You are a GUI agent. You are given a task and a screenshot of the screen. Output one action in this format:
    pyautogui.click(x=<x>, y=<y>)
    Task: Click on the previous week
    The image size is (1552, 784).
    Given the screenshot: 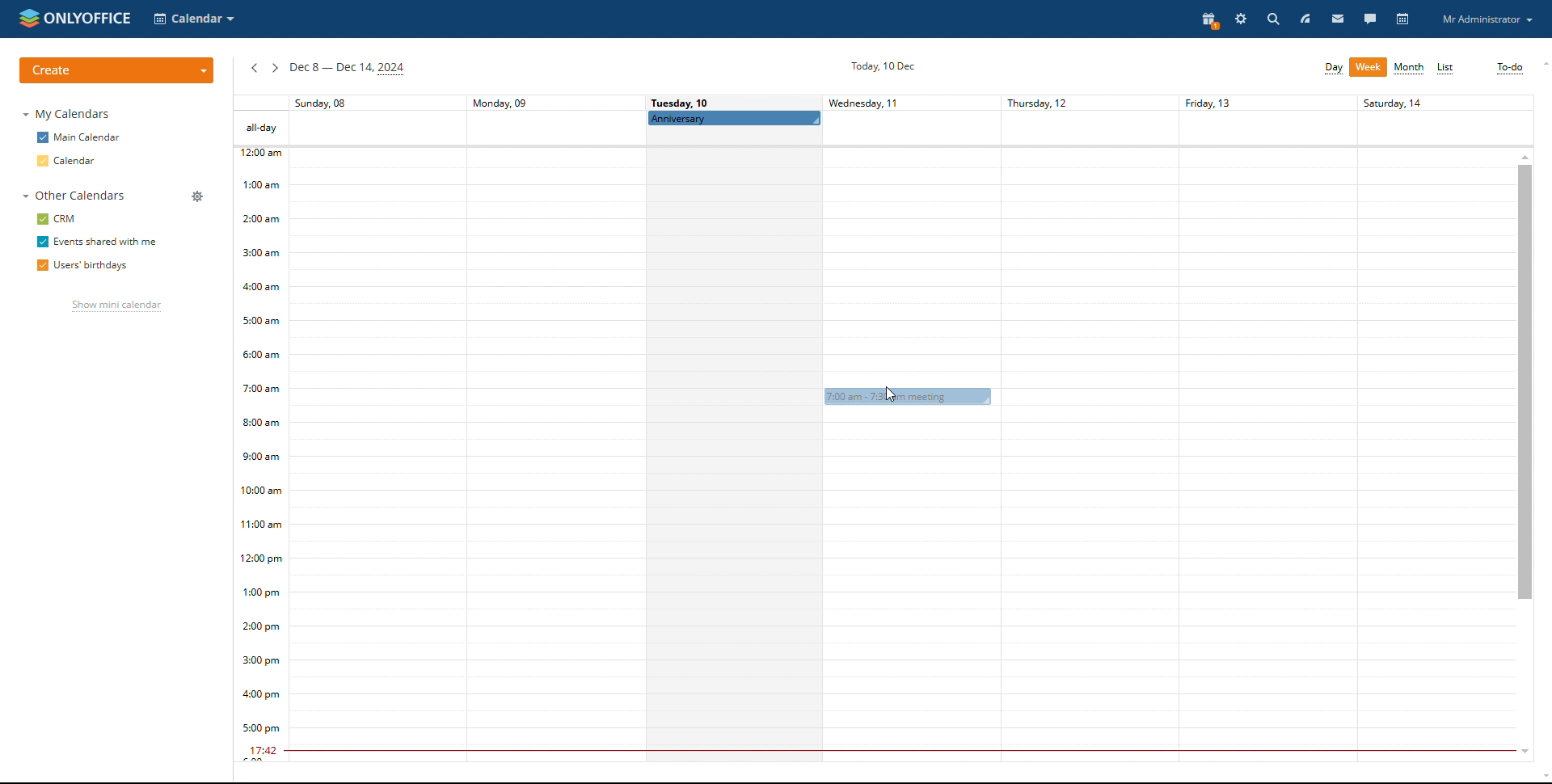 What is the action you would take?
    pyautogui.click(x=254, y=70)
    